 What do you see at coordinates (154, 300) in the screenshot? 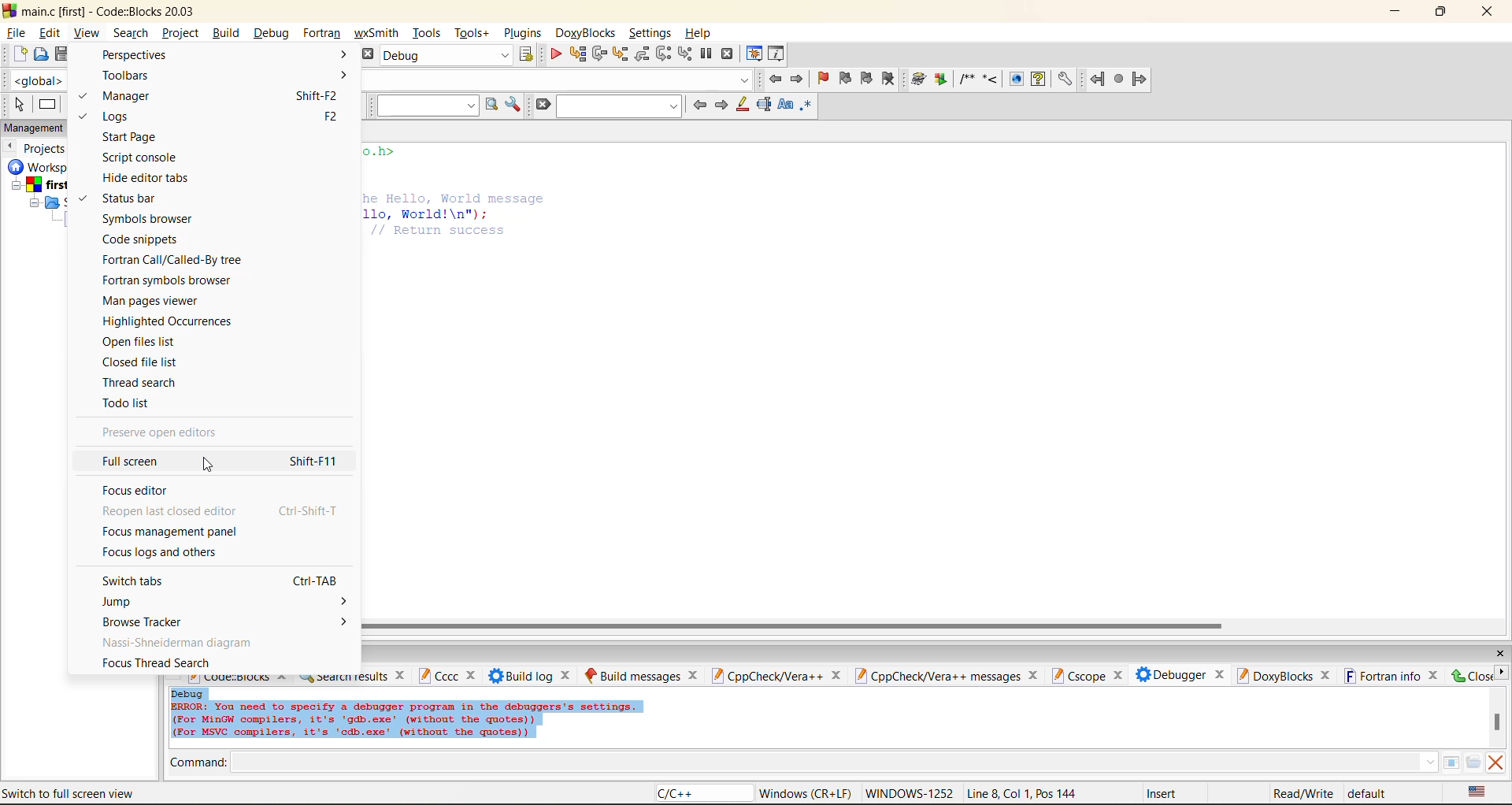
I see `man pages viewer` at bounding box center [154, 300].